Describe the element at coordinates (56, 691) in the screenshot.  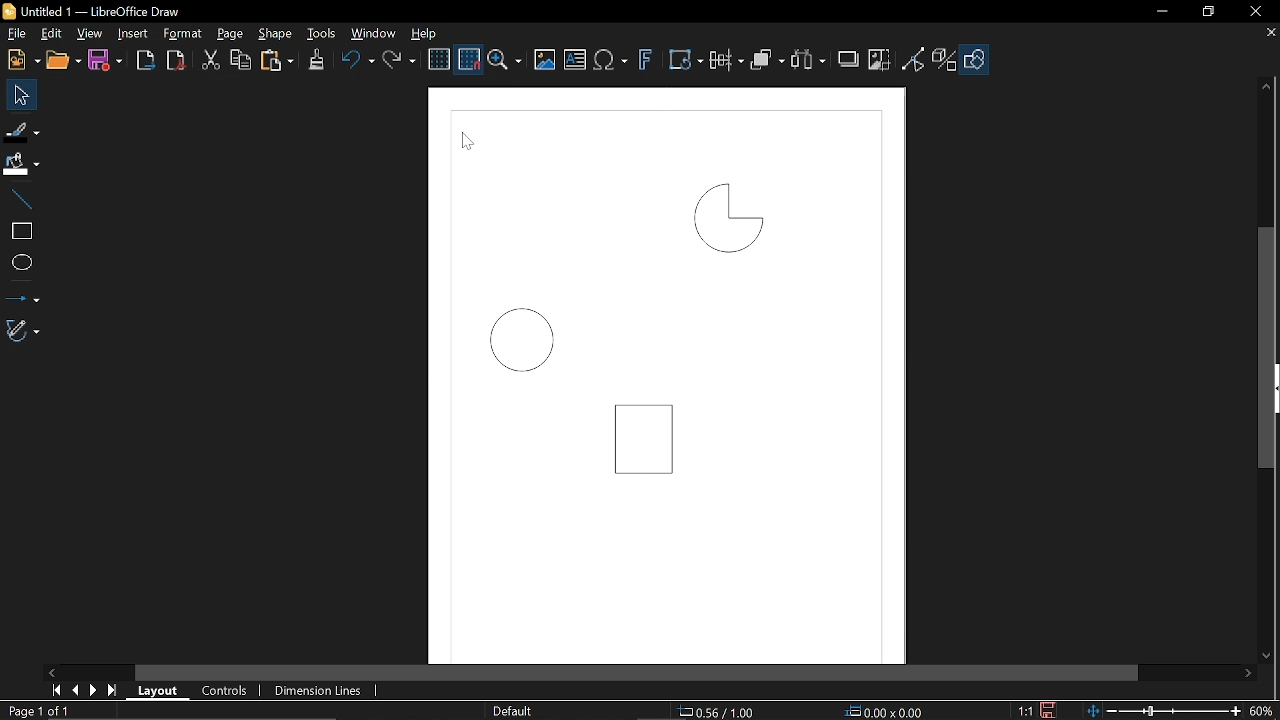
I see `First page` at that location.